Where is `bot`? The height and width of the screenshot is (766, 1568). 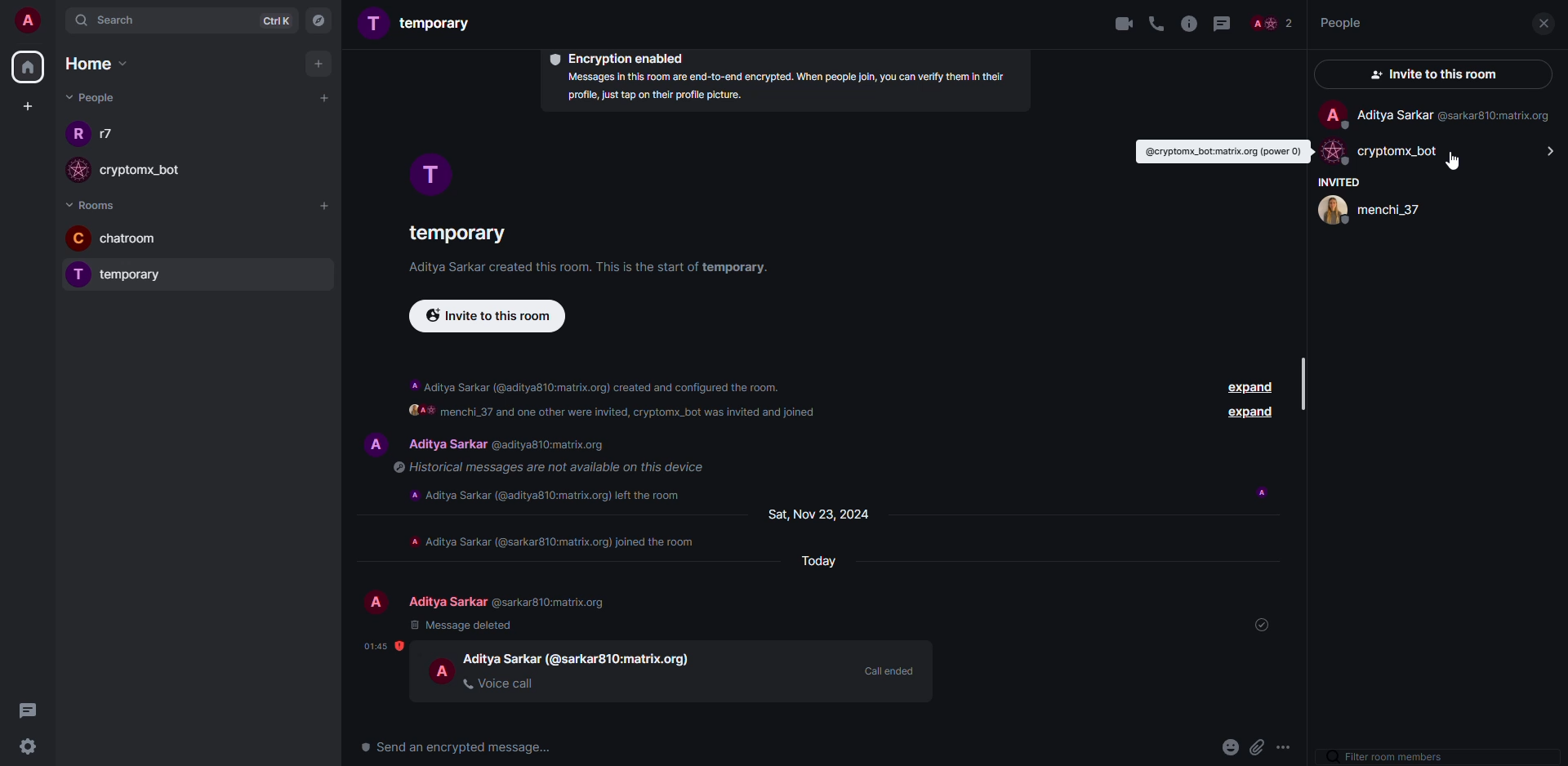 bot is located at coordinates (1412, 149).